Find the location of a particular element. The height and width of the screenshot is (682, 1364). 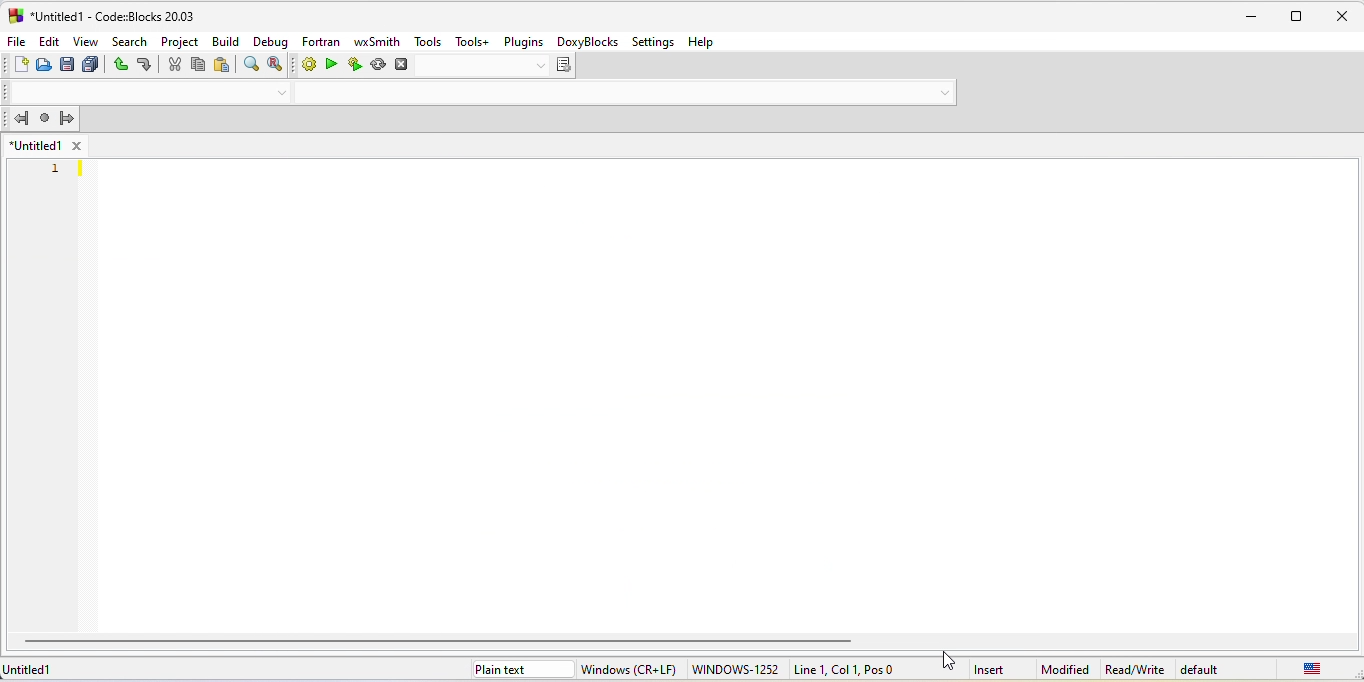

cursor is located at coordinates (948, 661).